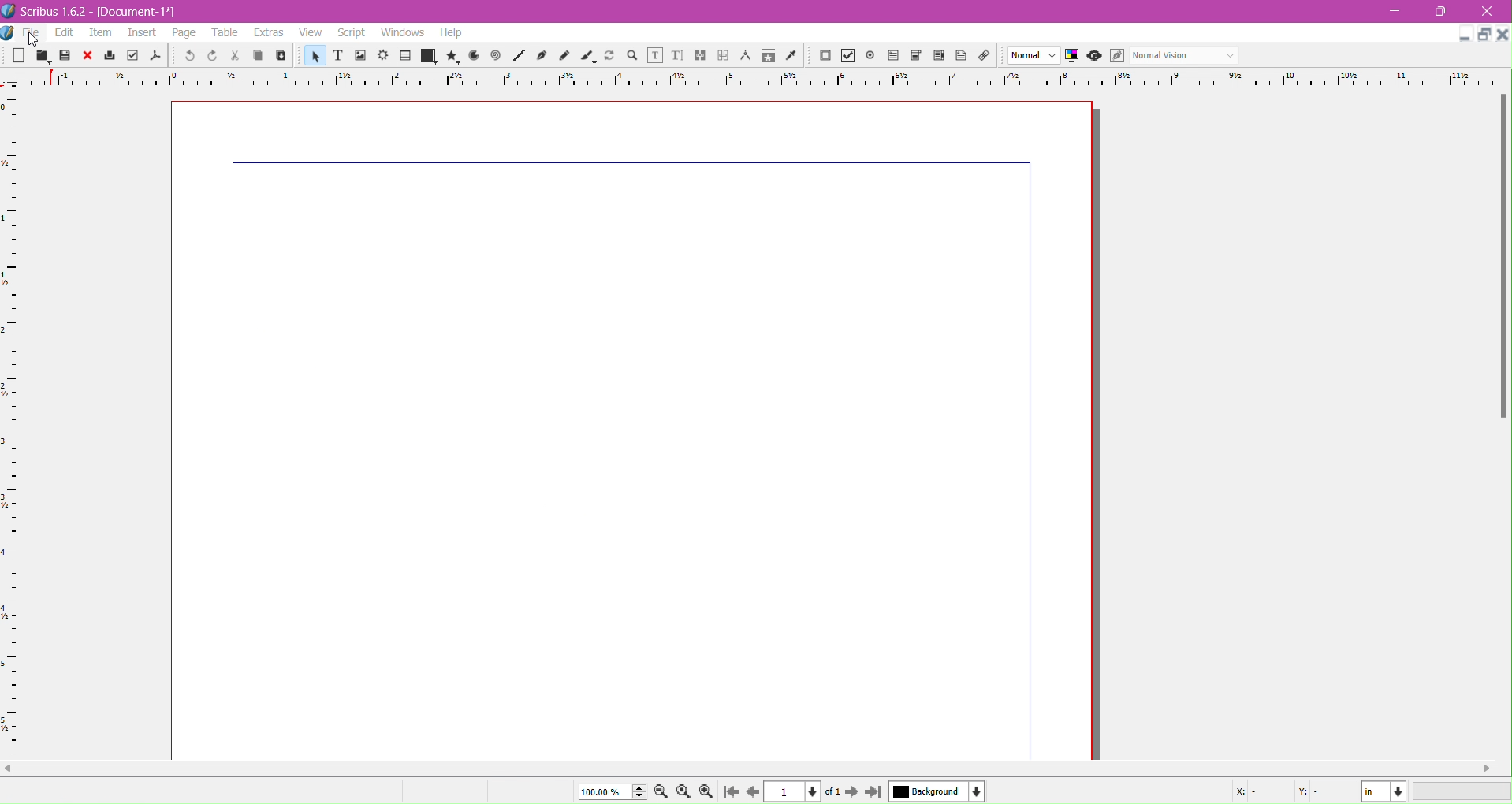 The image size is (1512, 804). What do you see at coordinates (471, 56) in the screenshot?
I see `arc` at bounding box center [471, 56].